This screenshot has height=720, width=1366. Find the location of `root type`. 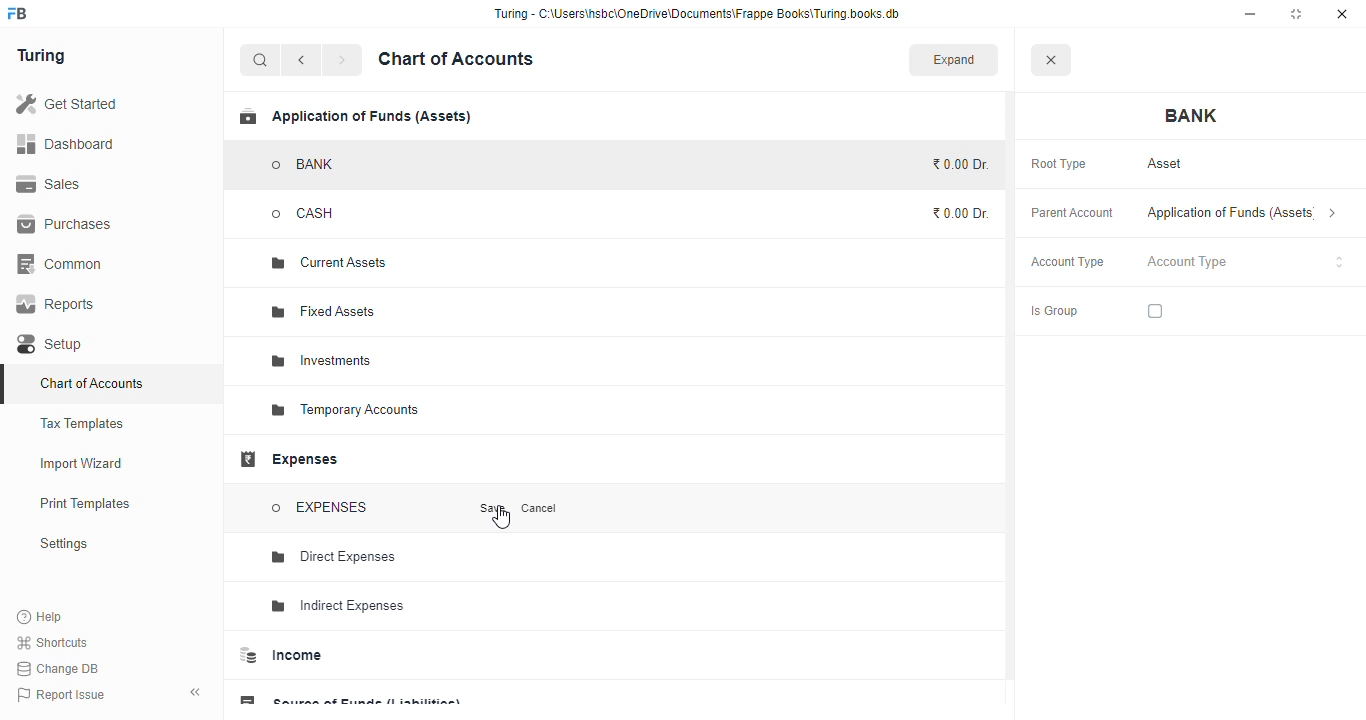

root type is located at coordinates (1059, 165).